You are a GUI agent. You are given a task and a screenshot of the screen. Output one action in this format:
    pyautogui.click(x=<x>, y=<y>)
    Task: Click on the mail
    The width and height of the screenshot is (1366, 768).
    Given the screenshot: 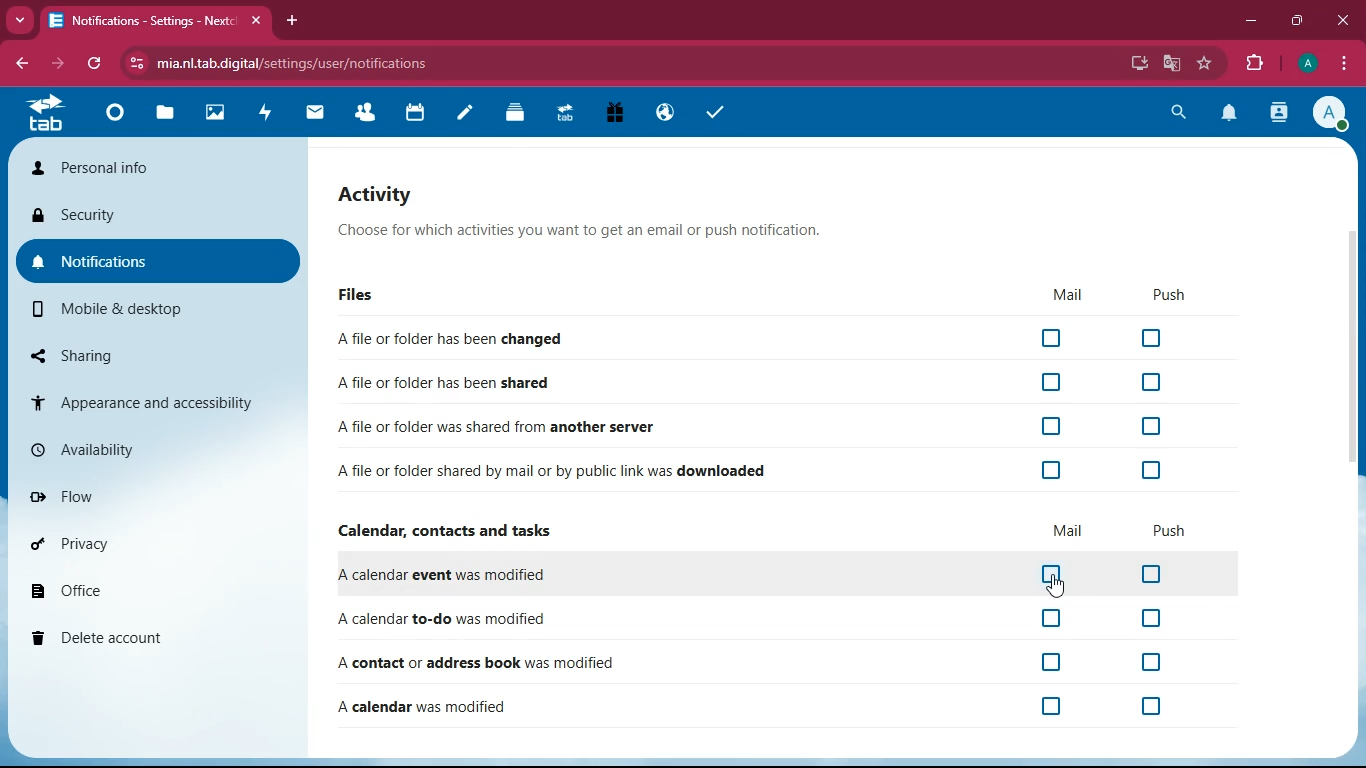 What is the action you would take?
    pyautogui.click(x=1063, y=533)
    